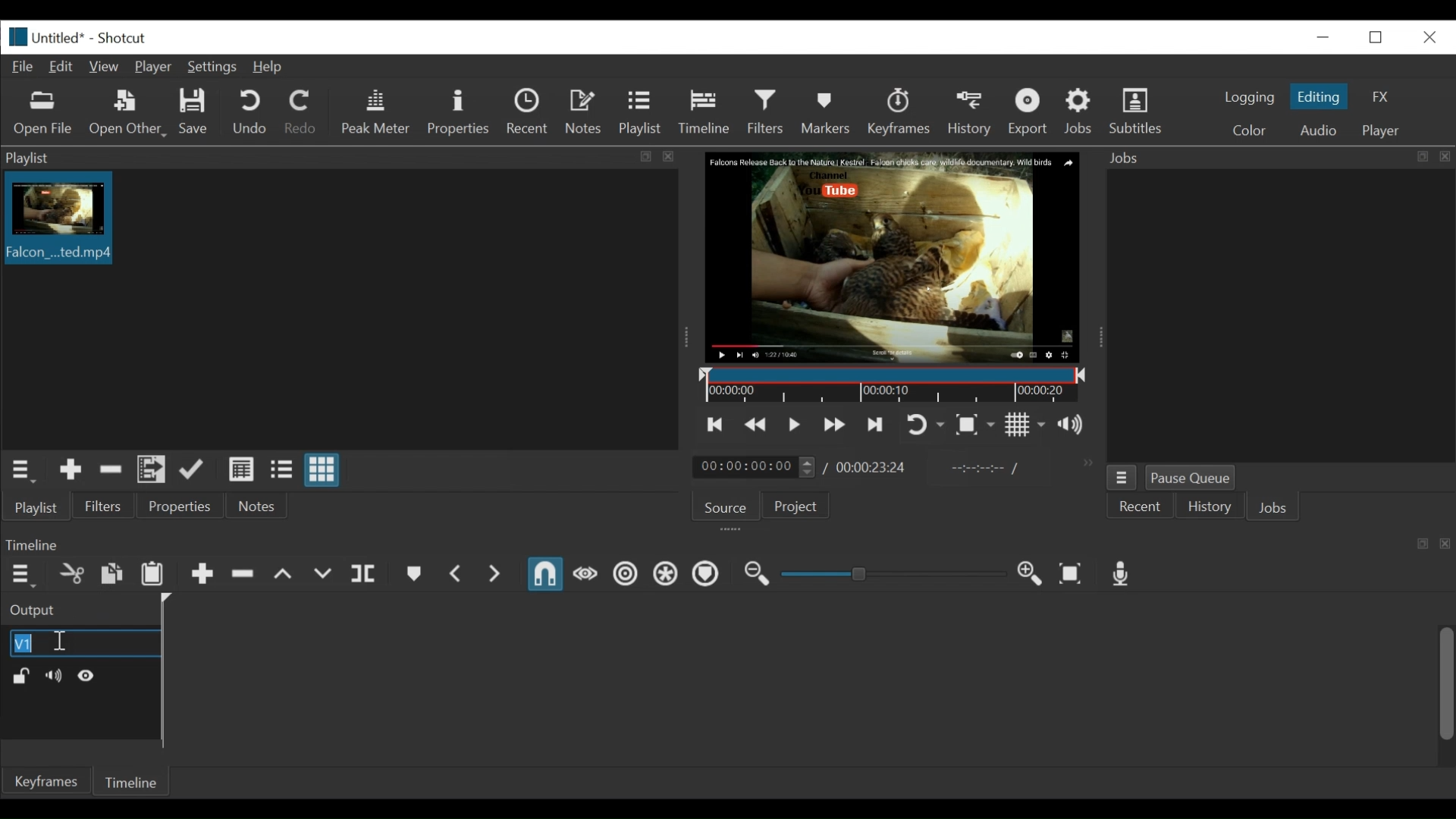 Image resolution: width=1456 pixels, height=819 pixels. I want to click on Zoom Timeline to fit, so click(1071, 573).